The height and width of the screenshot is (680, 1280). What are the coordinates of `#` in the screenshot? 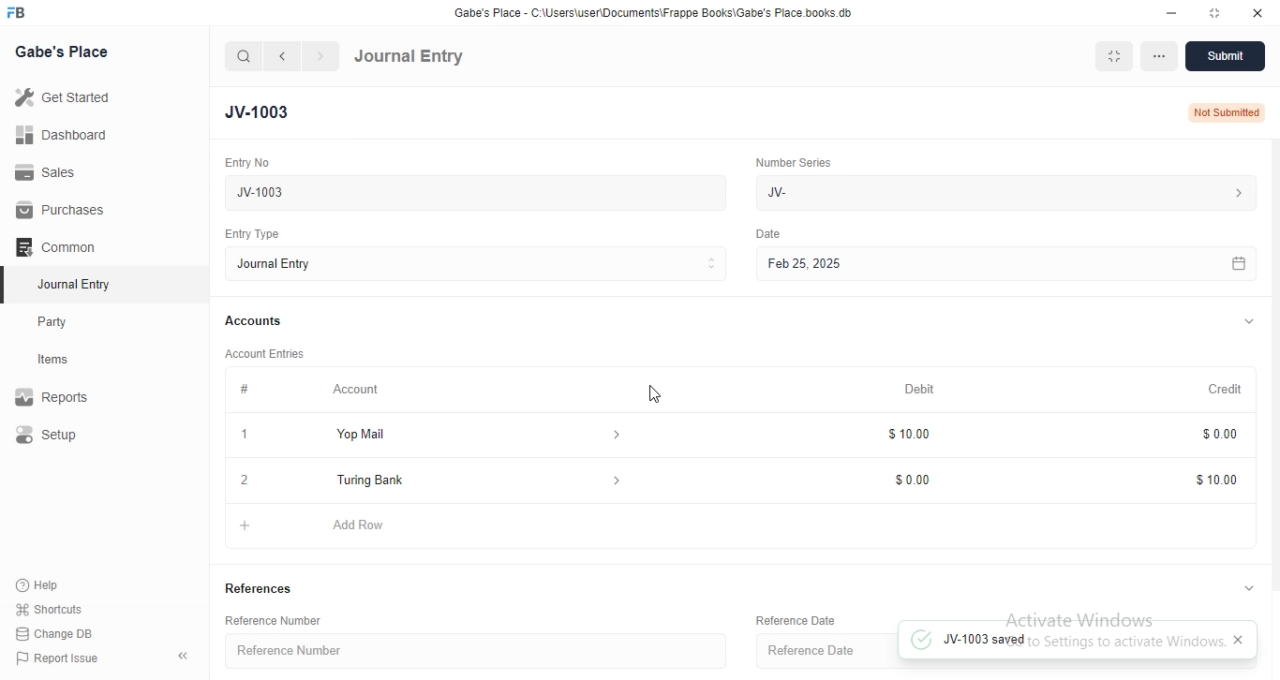 It's located at (243, 390).